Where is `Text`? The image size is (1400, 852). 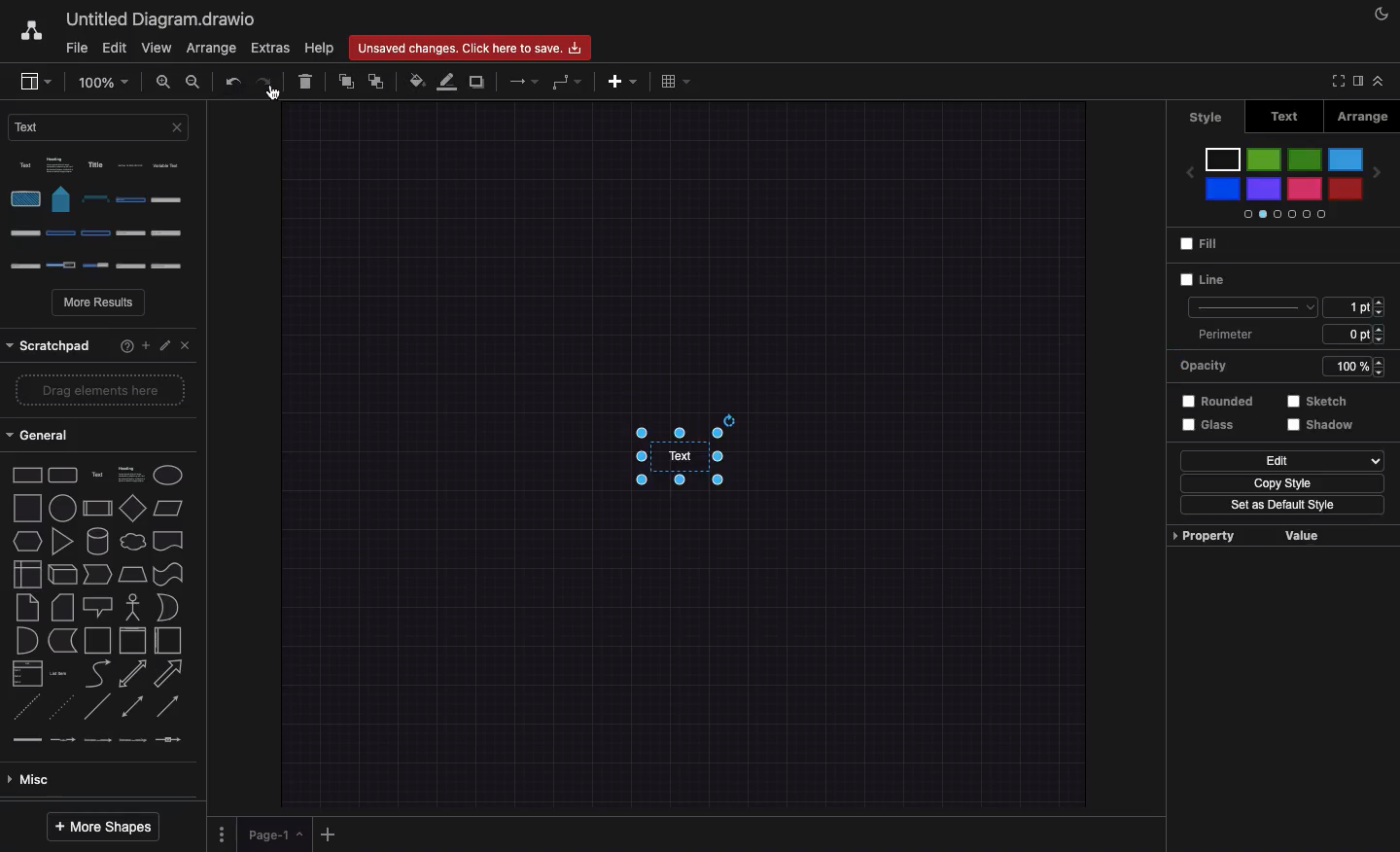
Text is located at coordinates (98, 126).